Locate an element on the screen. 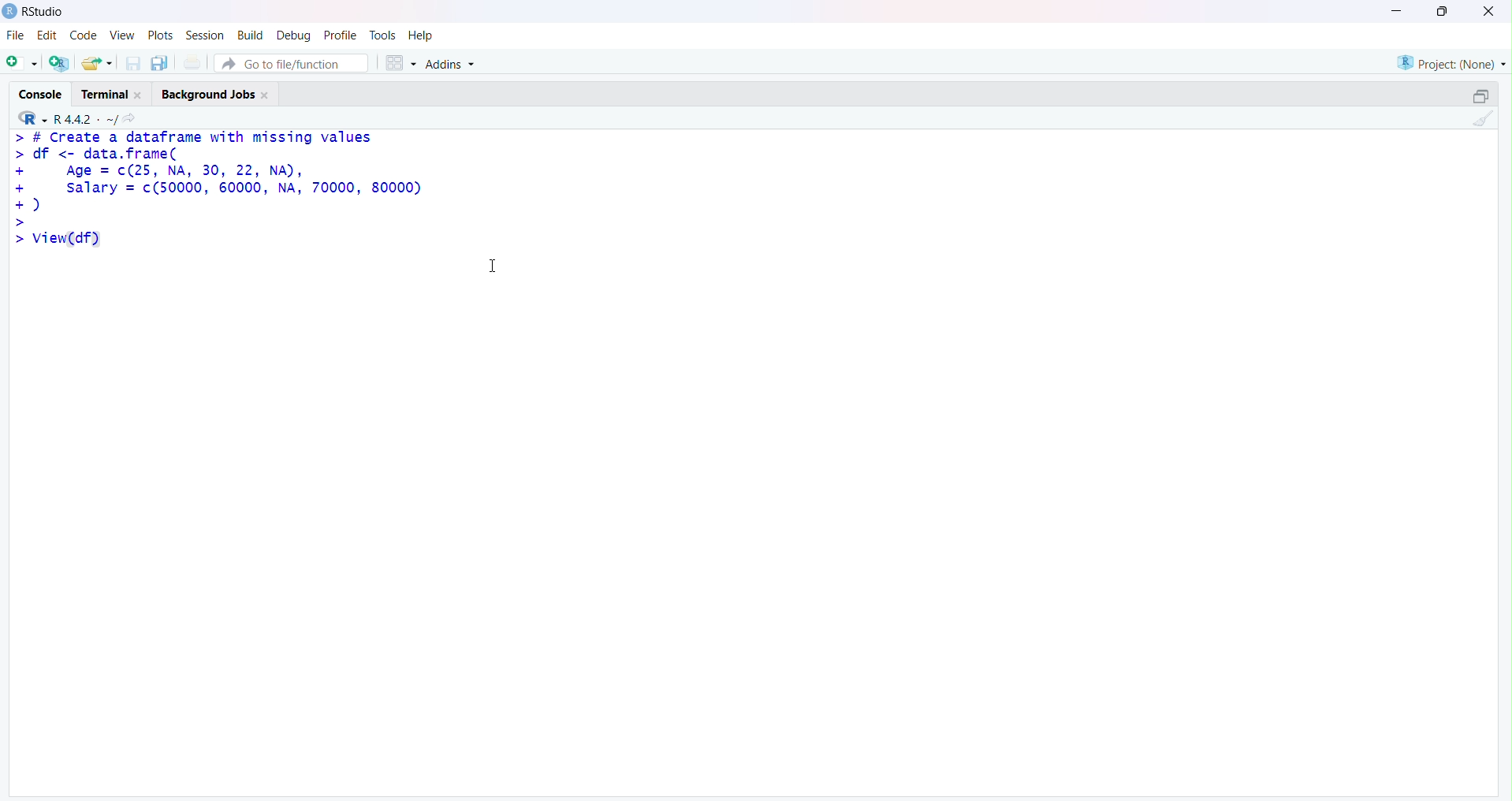 Image resolution: width=1512 pixels, height=801 pixels. Profile is located at coordinates (341, 35).